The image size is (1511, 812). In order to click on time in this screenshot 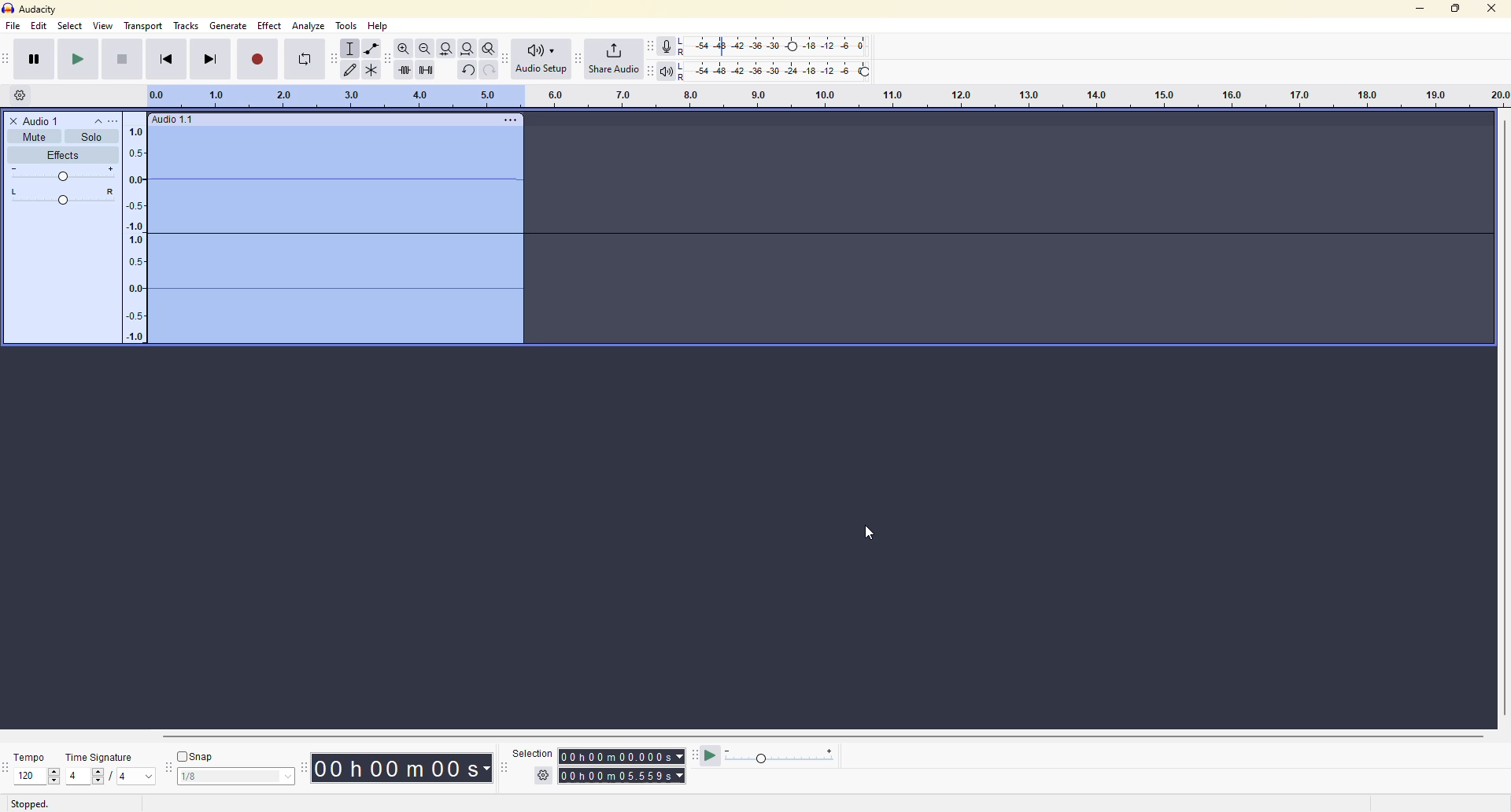, I will do `click(625, 774)`.